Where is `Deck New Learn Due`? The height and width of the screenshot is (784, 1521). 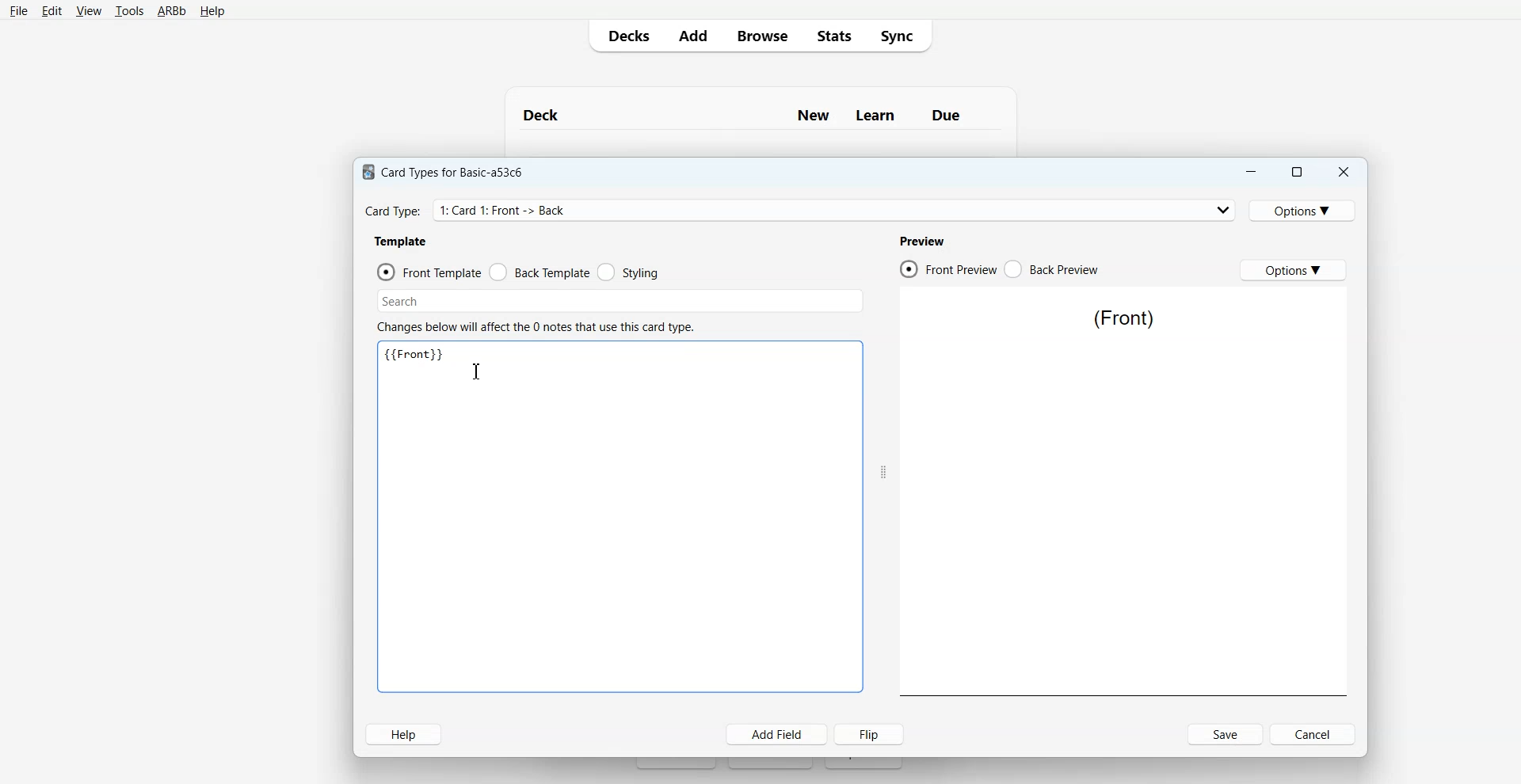 Deck New Learn Due is located at coordinates (750, 115).